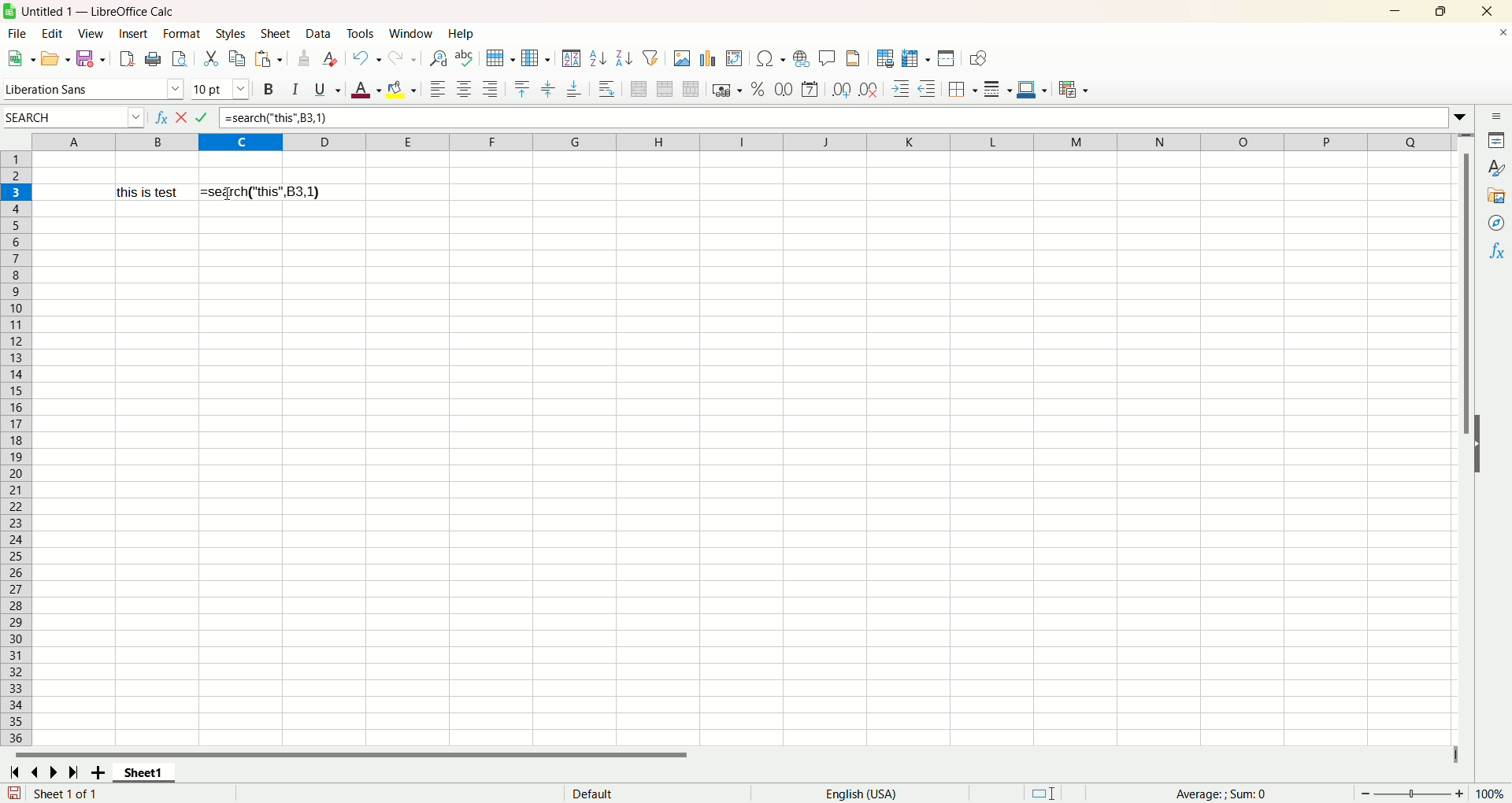 This screenshot has width=1512, height=803. What do you see at coordinates (1410, 793) in the screenshot?
I see `zoom bar` at bounding box center [1410, 793].